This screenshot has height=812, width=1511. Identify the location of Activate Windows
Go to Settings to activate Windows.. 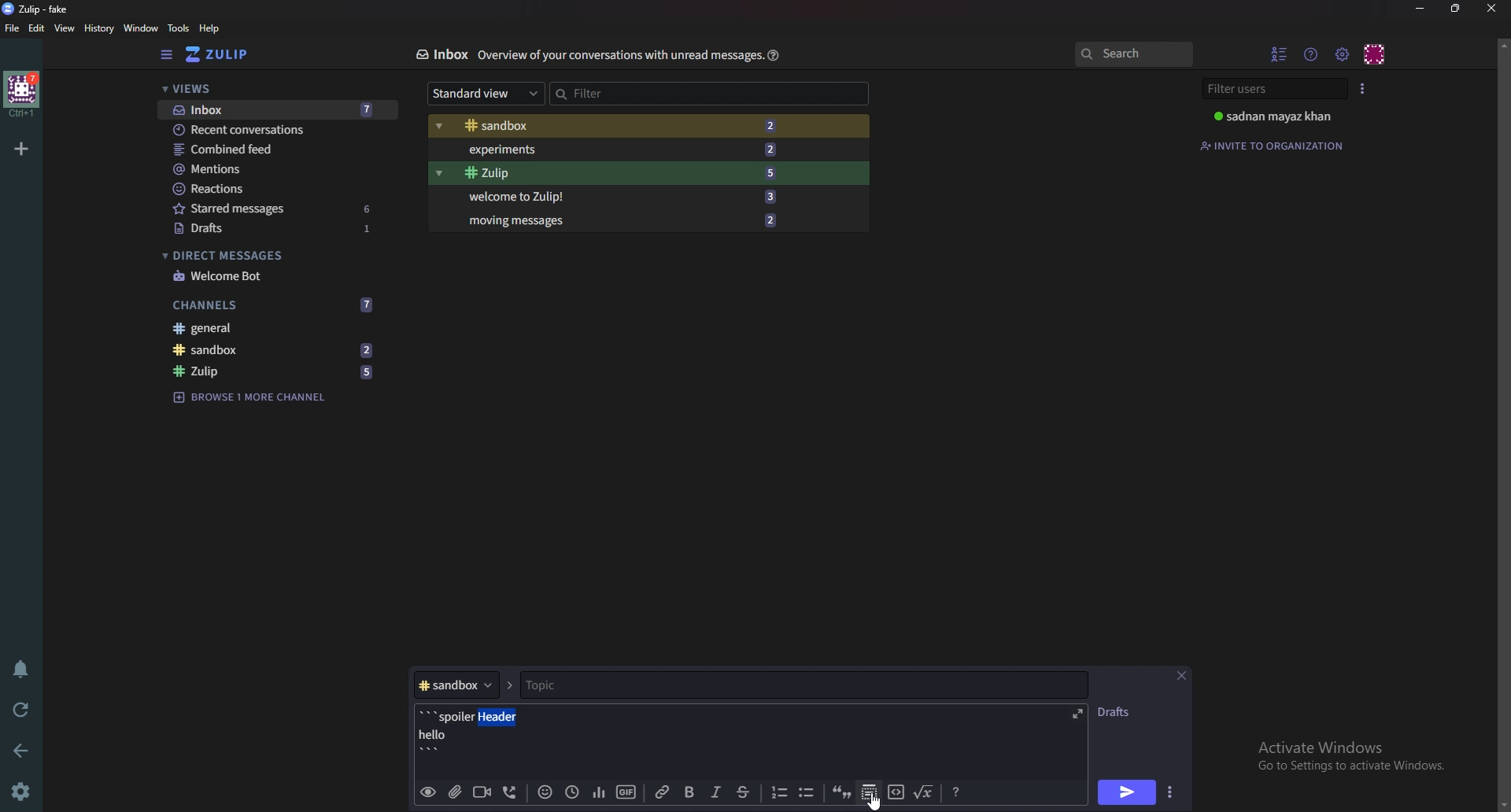
(1353, 761).